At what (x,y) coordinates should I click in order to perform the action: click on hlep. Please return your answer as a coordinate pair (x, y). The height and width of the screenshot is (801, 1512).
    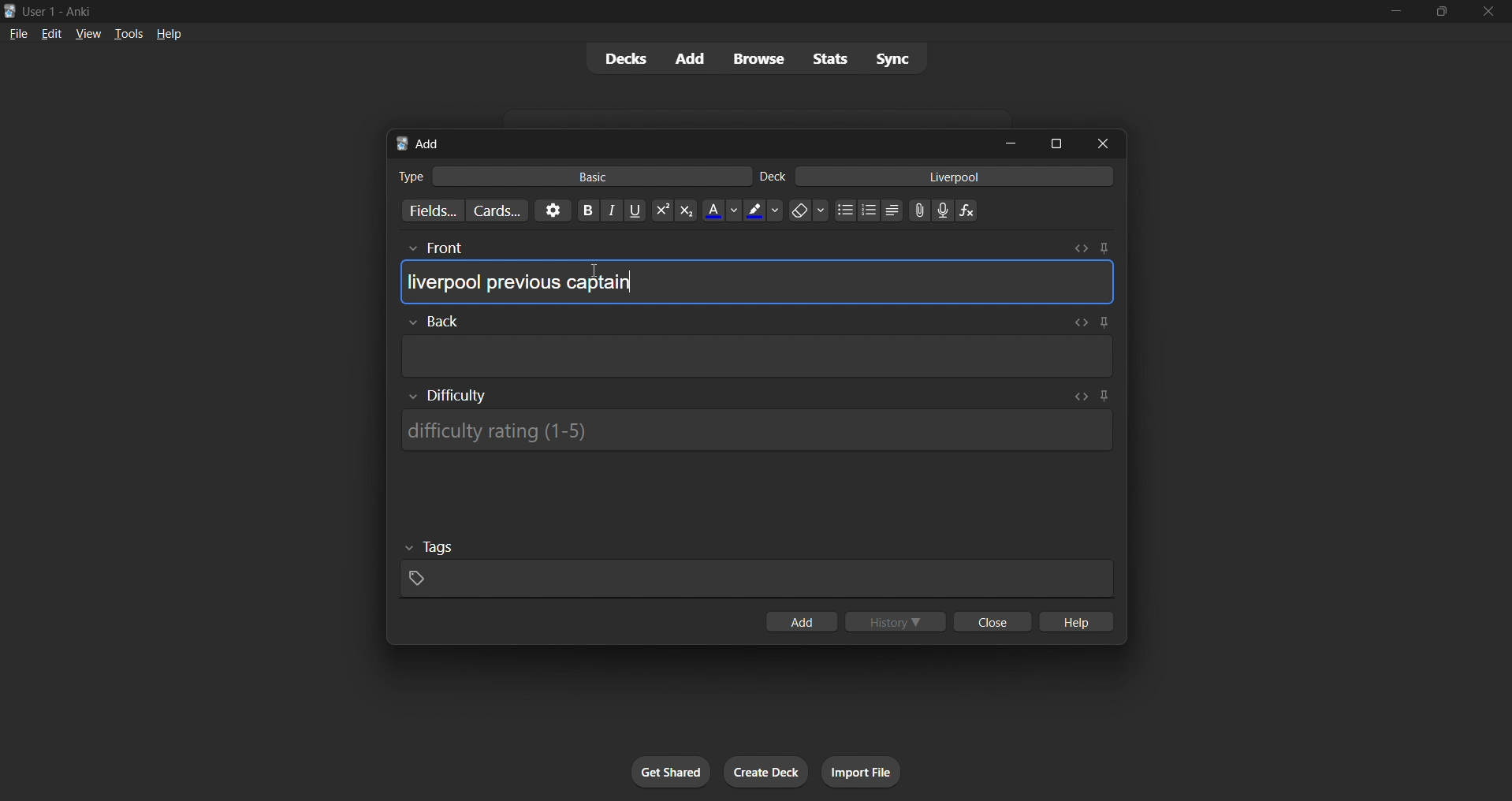
    Looking at the image, I should click on (1078, 623).